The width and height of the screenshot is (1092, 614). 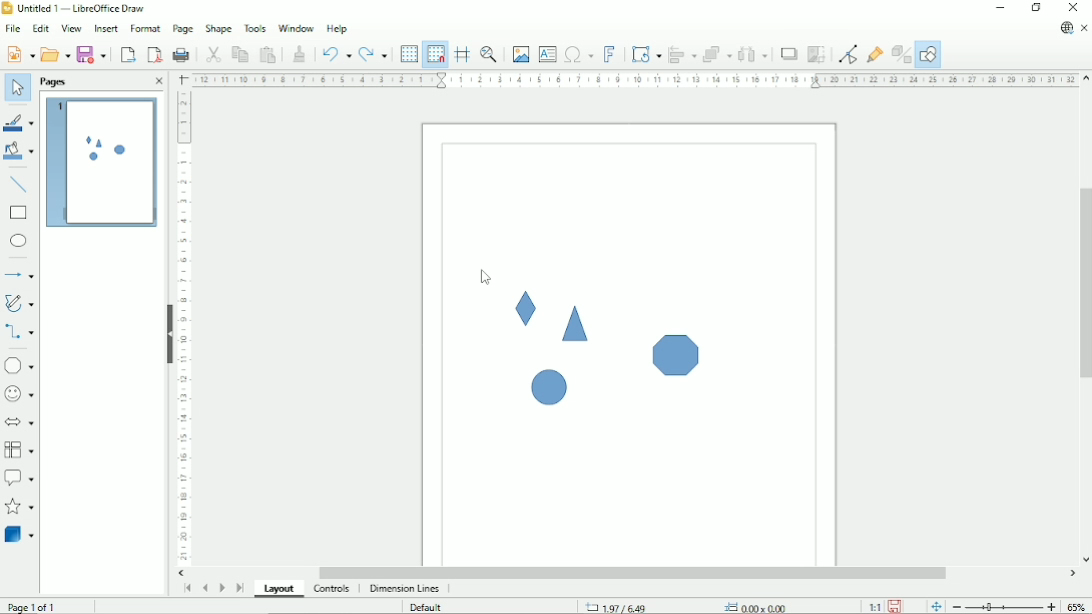 What do you see at coordinates (374, 55) in the screenshot?
I see `Redo` at bounding box center [374, 55].